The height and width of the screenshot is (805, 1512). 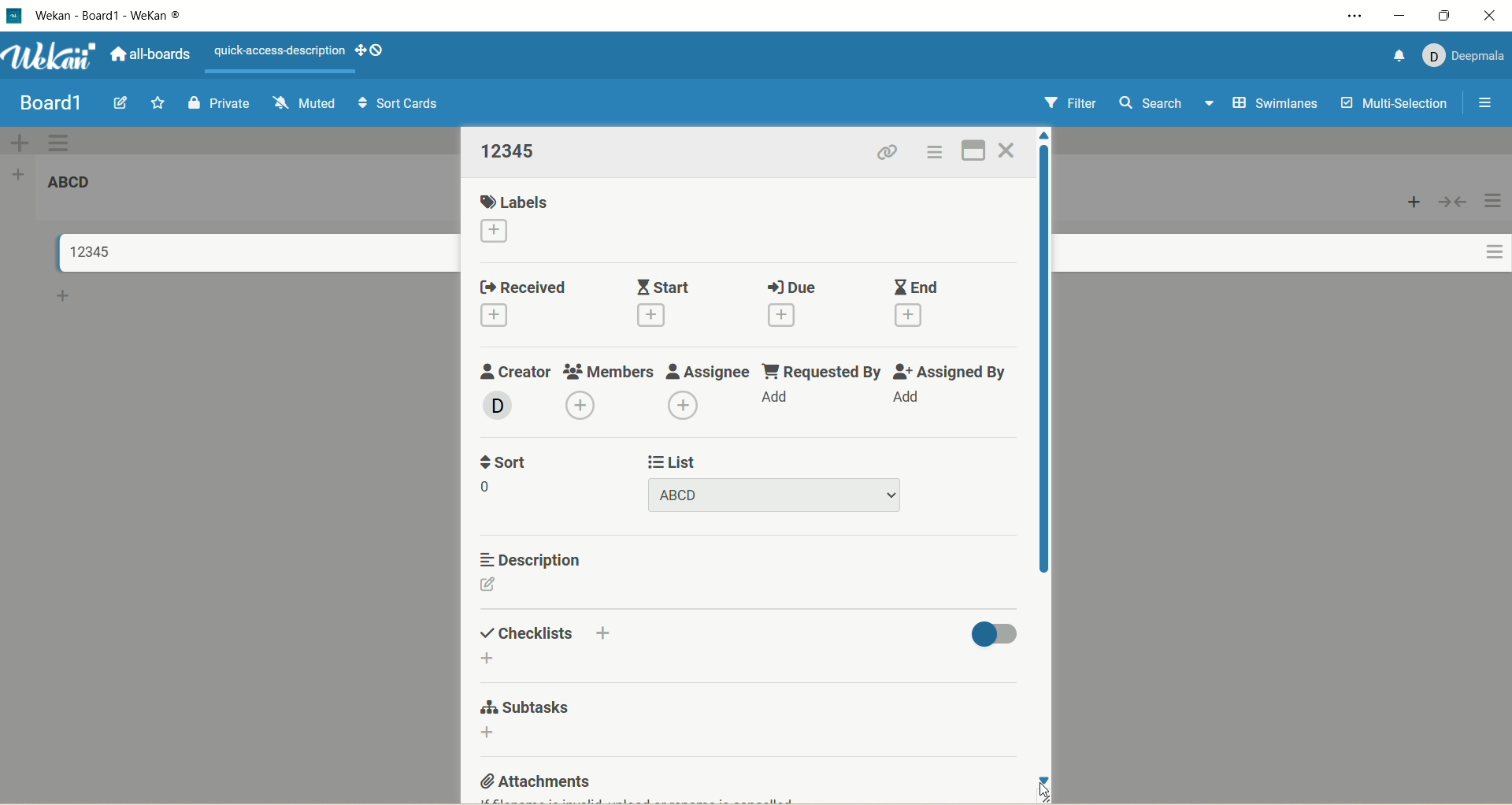 What do you see at coordinates (609, 368) in the screenshot?
I see `members` at bounding box center [609, 368].